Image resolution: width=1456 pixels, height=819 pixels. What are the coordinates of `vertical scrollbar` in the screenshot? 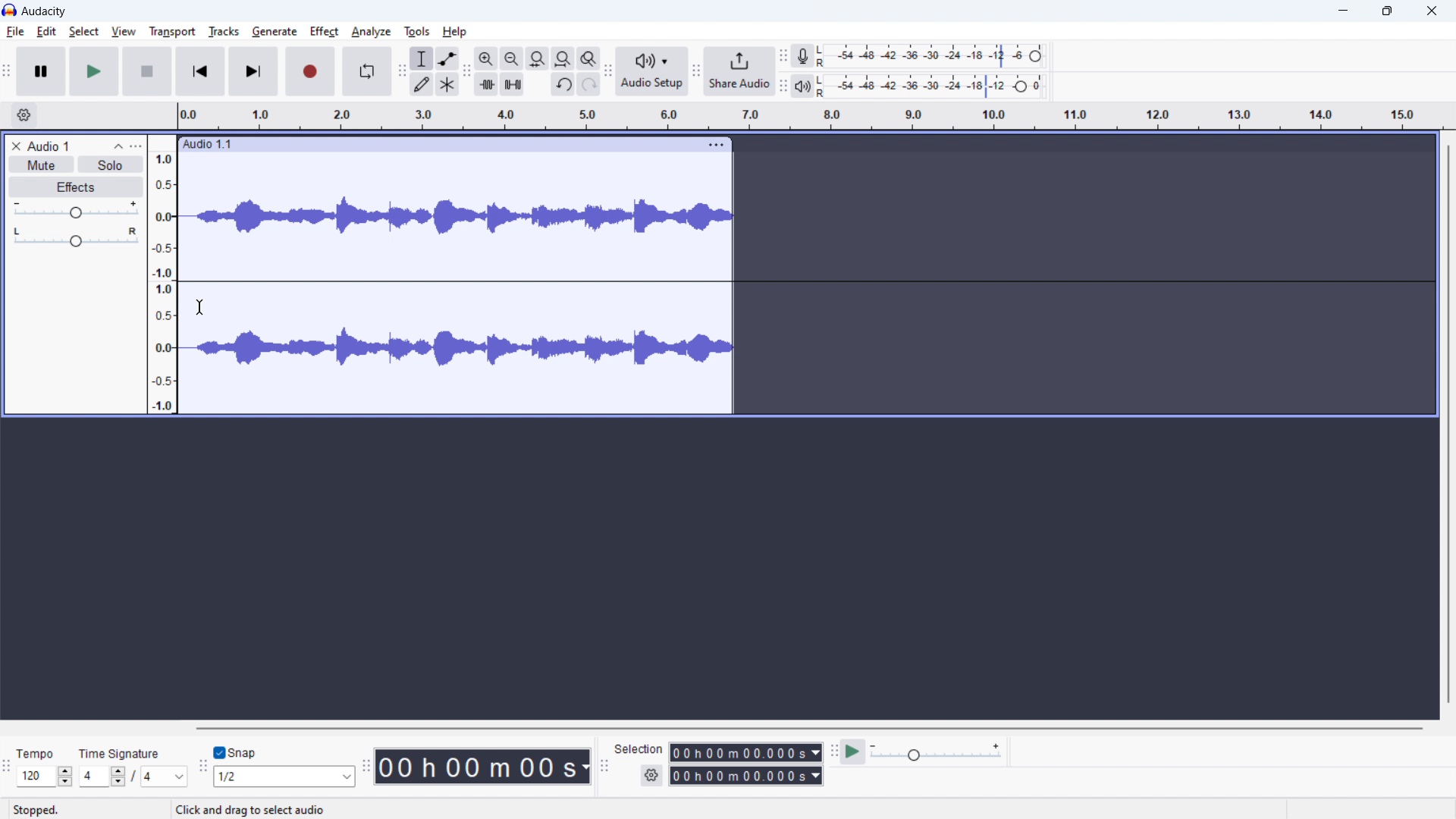 It's located at (1448, 424).